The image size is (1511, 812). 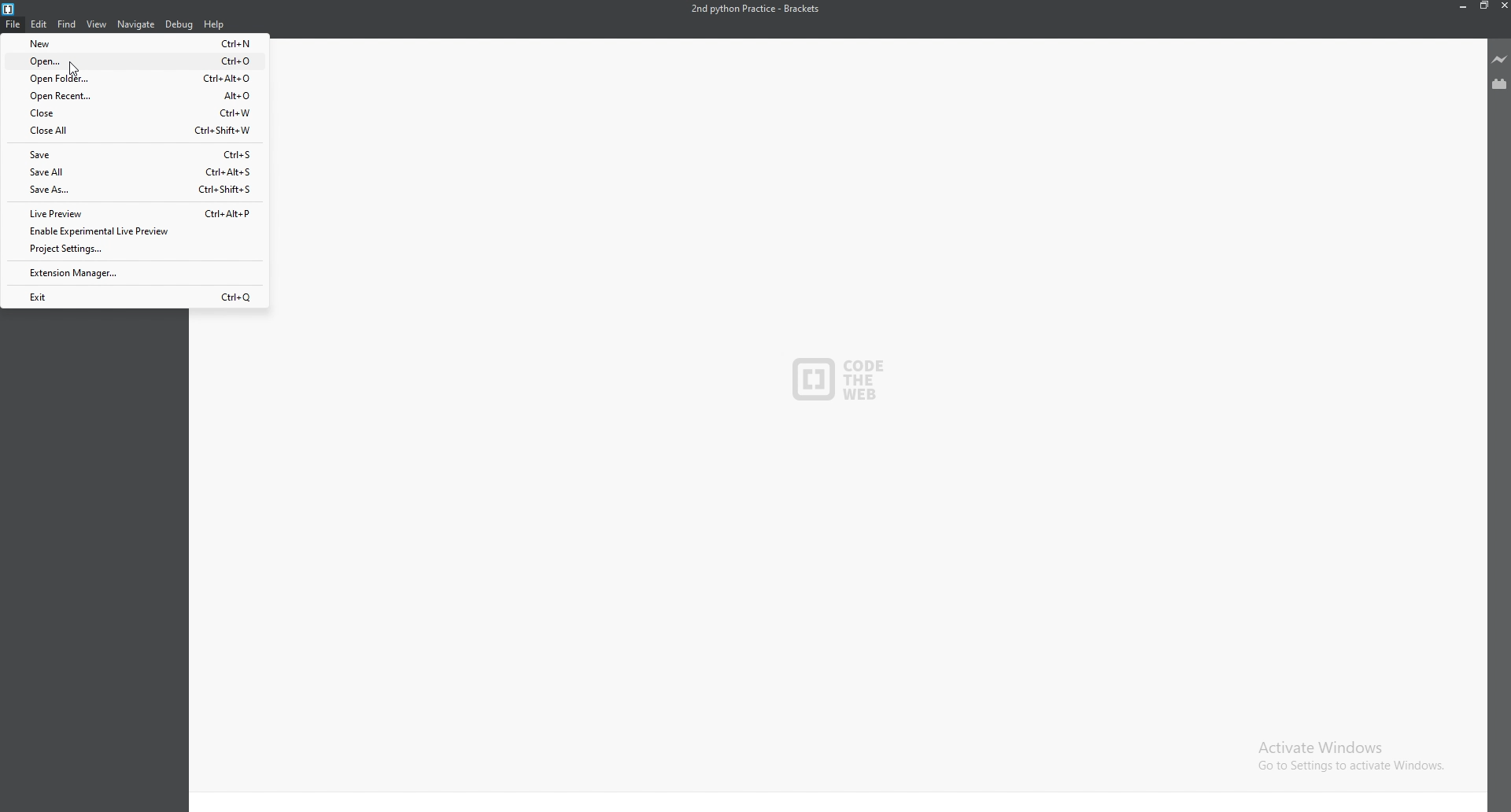 What do you see at coordinates (135, 131) in the screenshot?
I see `close all` at bounding box center [135, 131].